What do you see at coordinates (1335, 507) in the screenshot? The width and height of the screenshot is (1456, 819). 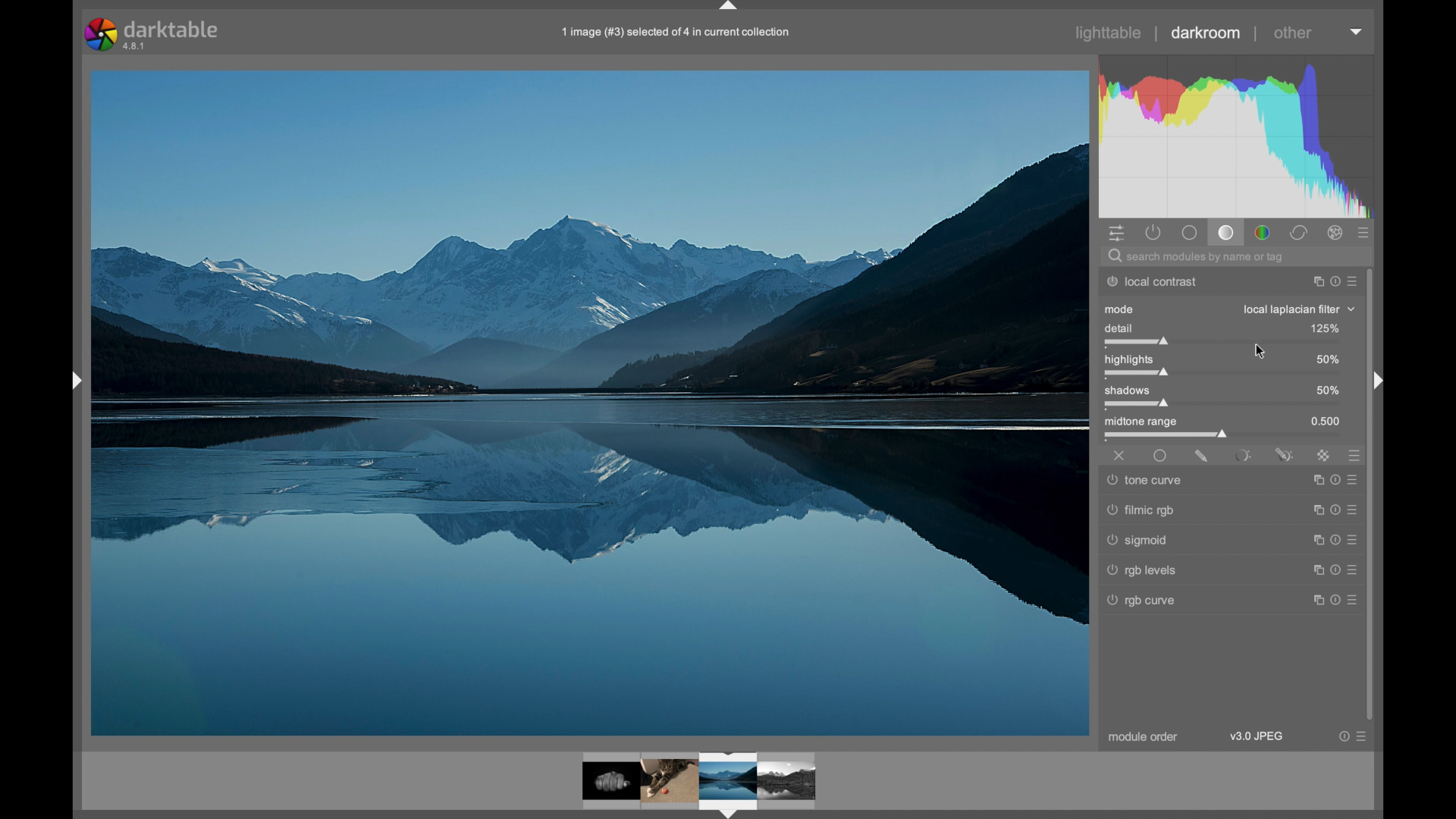 I see `more options` at bounding box center [1335, 507].